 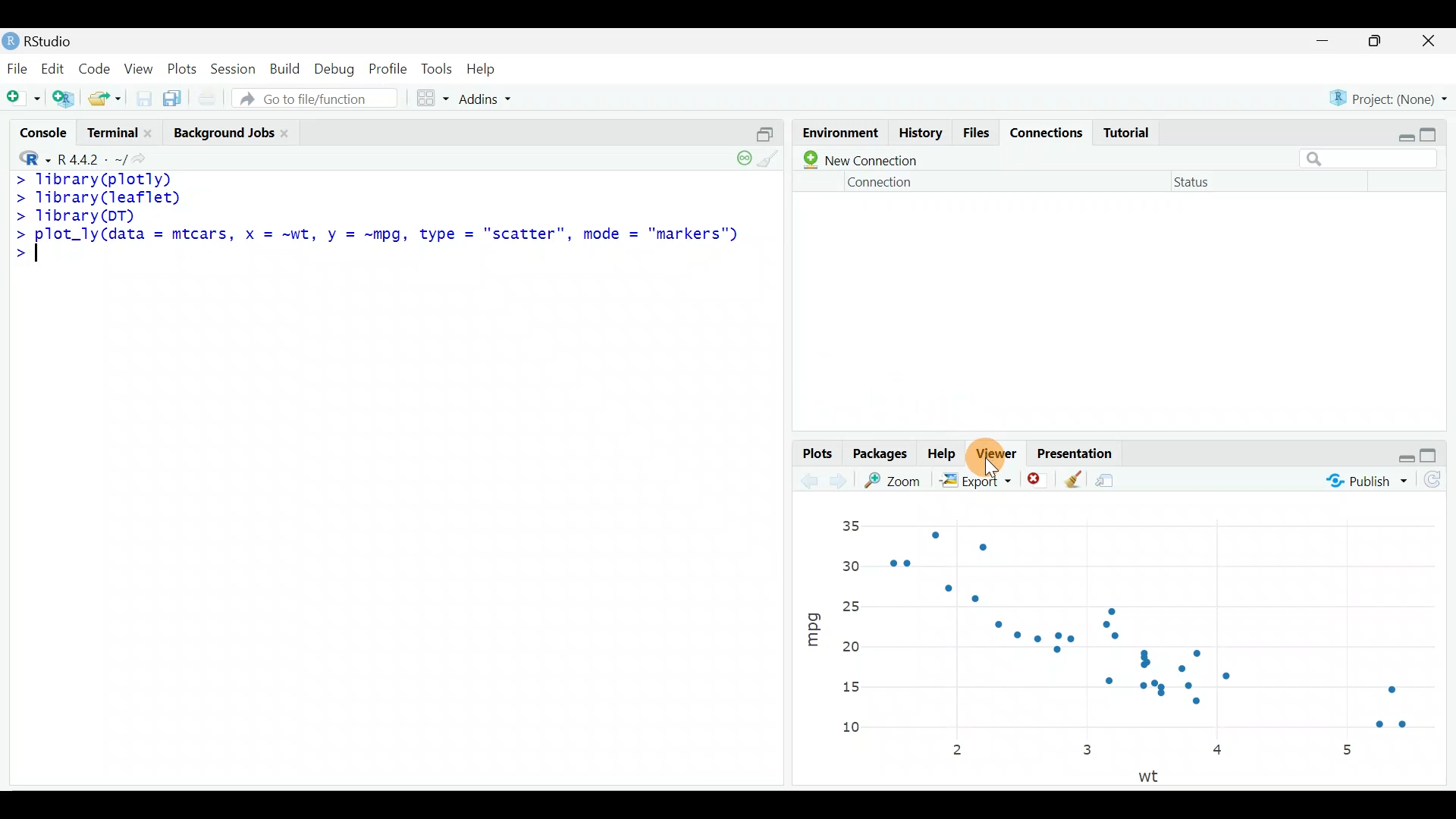 I want to click on 2, so click(x=952, y=750).